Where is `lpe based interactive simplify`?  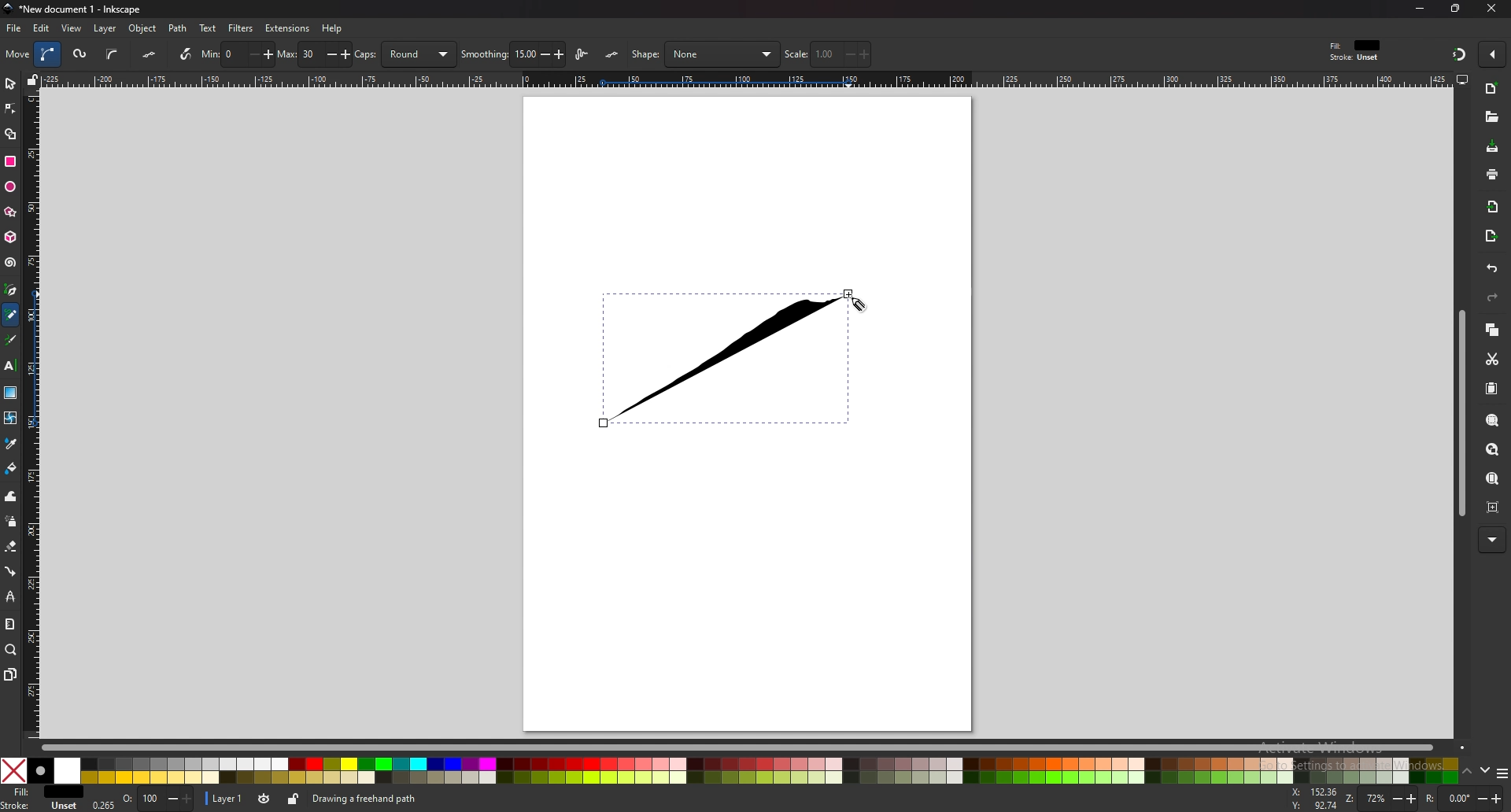 lpe based interactive simplify is located at coordinates (584, 53).